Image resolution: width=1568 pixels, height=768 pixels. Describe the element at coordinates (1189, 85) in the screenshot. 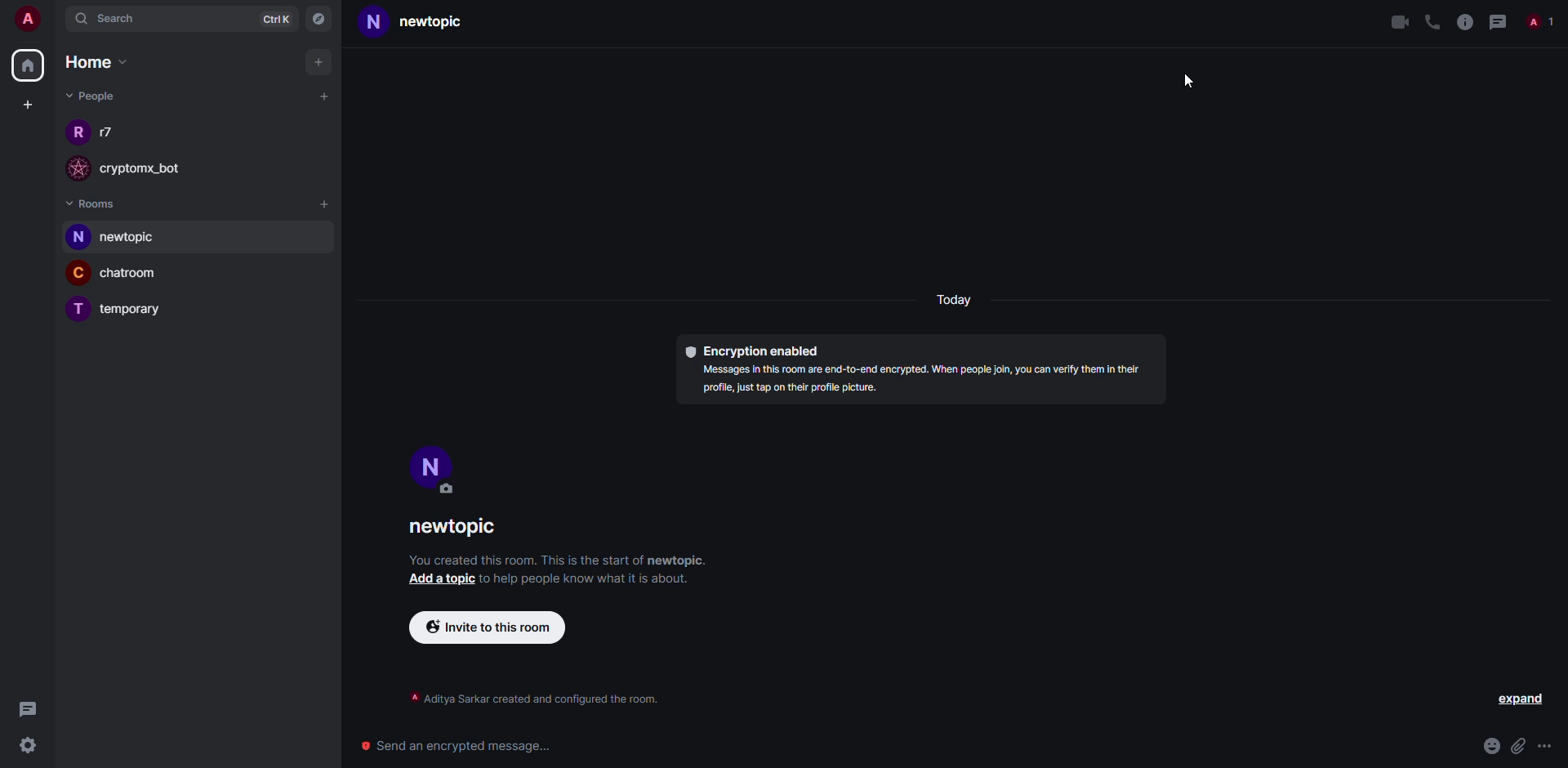

I see `cursor` at that location.